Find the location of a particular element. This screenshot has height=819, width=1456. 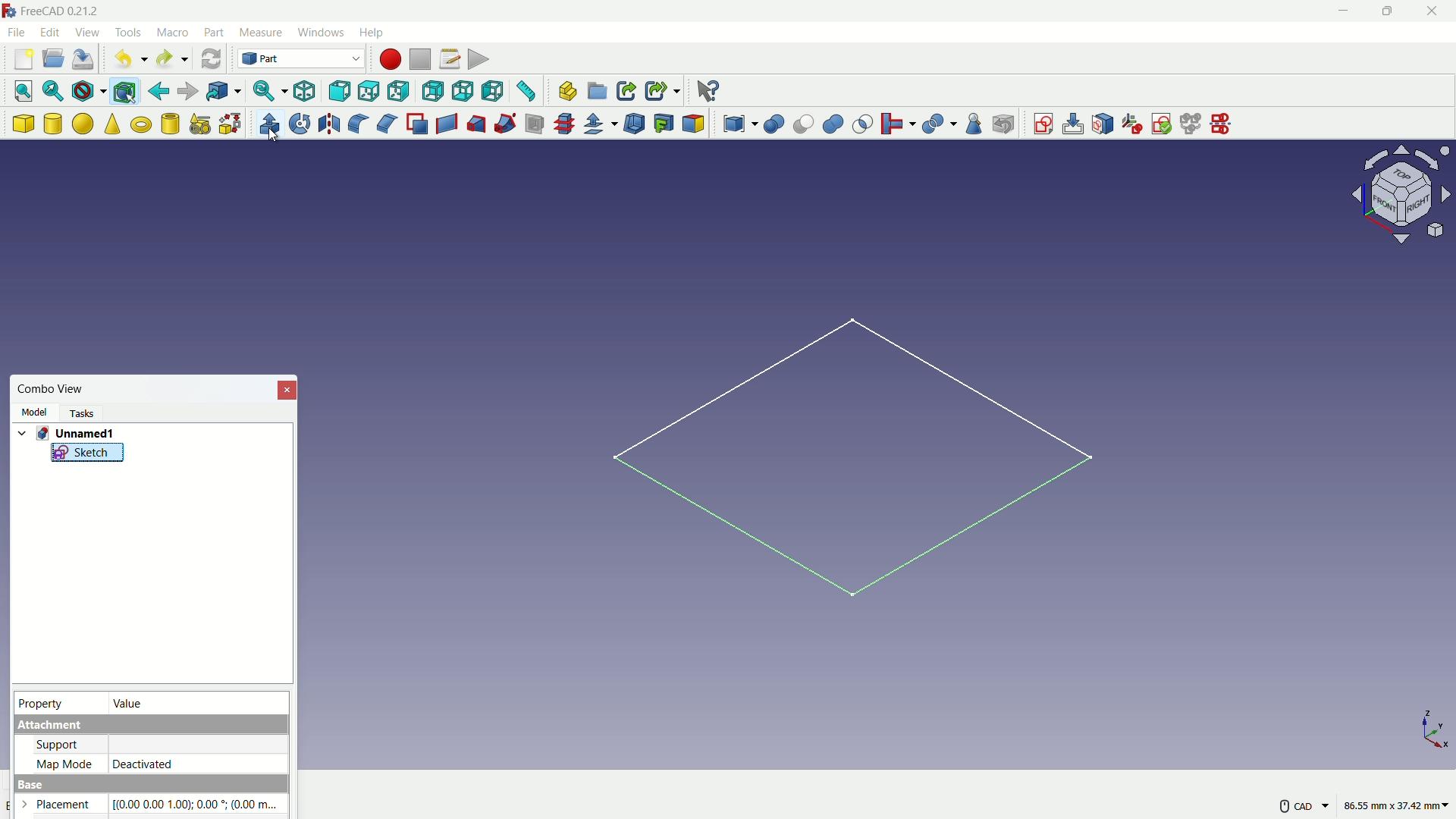

tools is located at coordinates (128, 33).